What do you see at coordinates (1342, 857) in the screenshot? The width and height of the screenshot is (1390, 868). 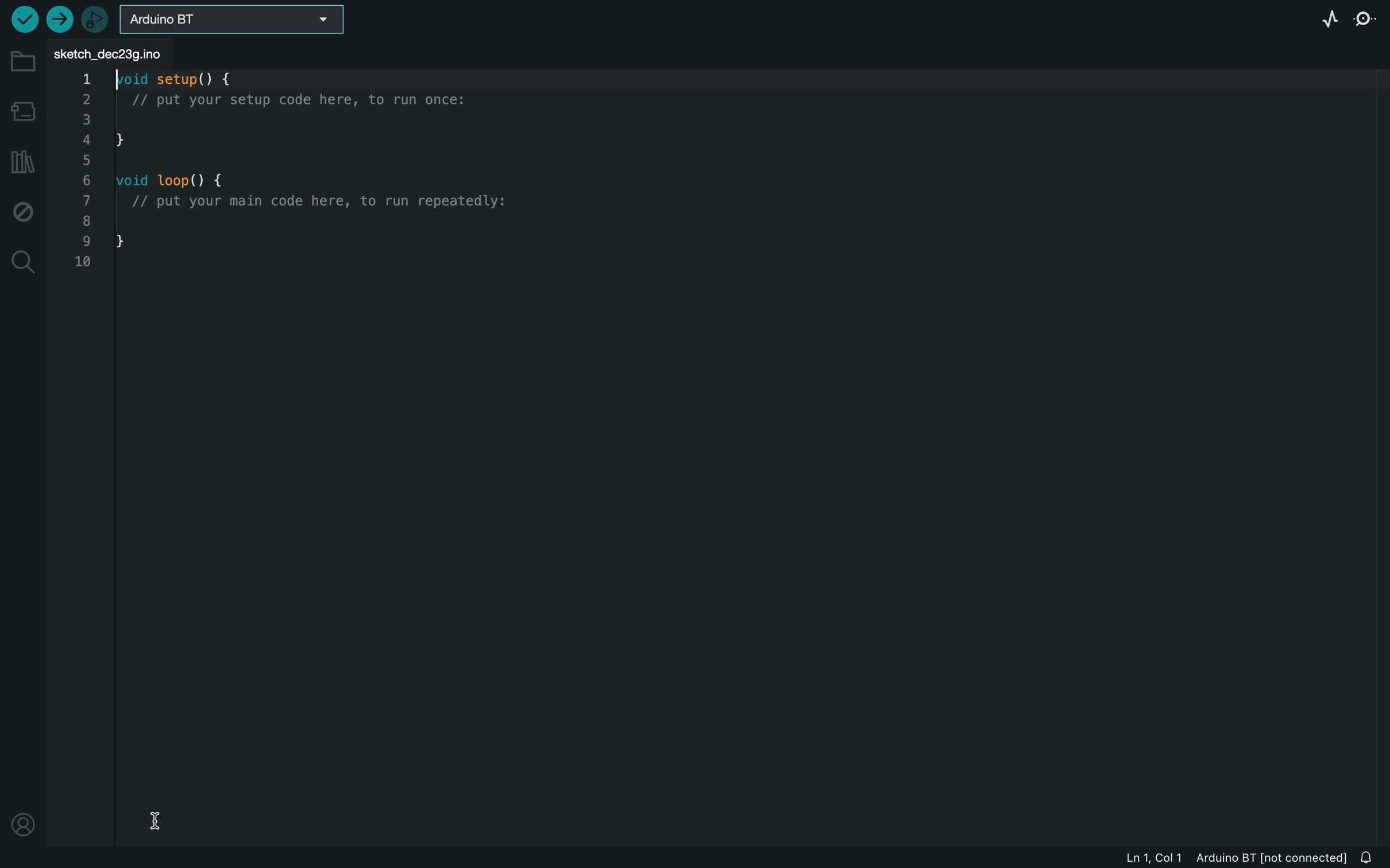 I see `notification` at bounding box center [1342, 857].